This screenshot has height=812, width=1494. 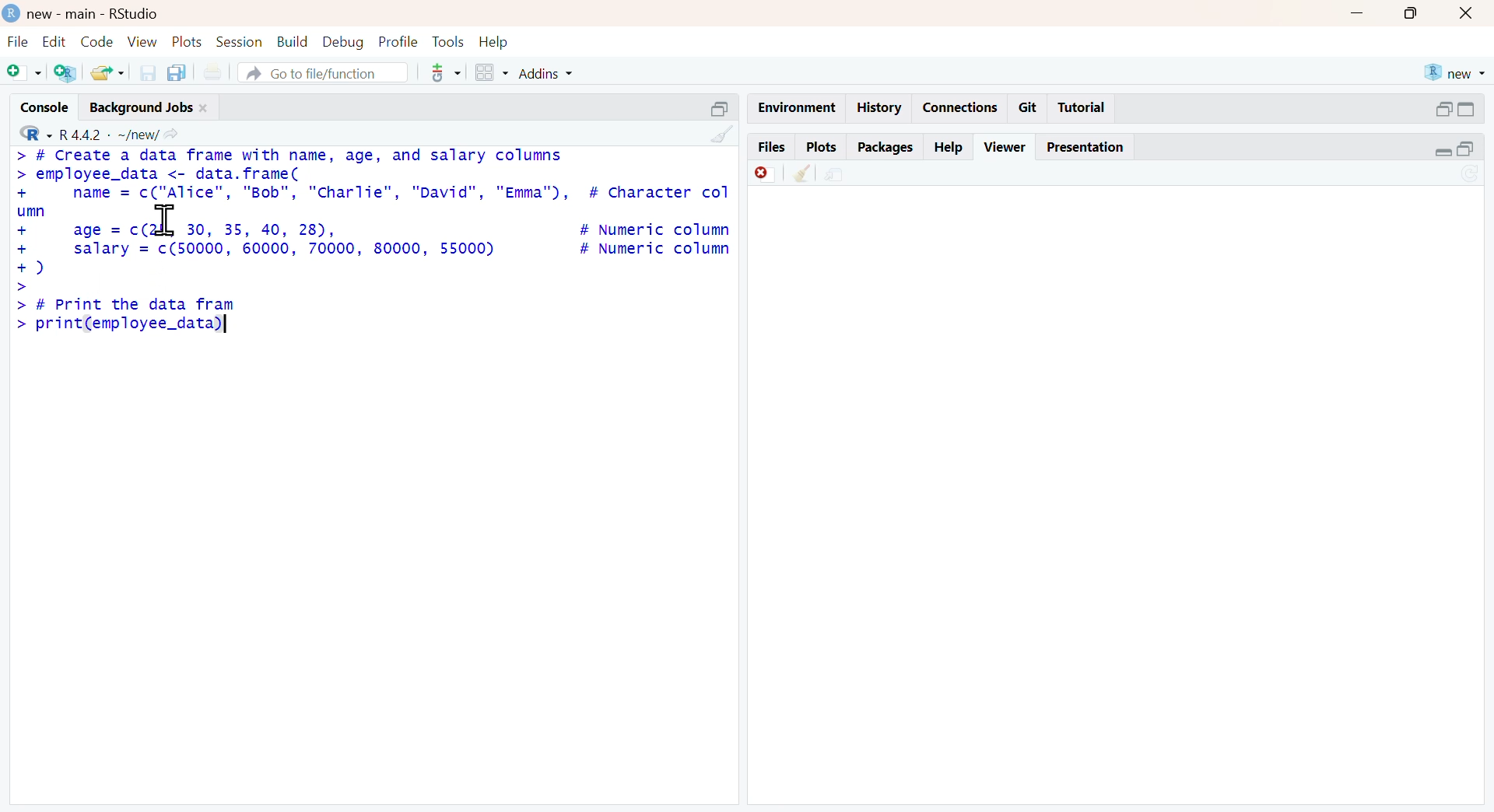 What do you see at coordinates (1086, 107) in the screenshot?
I see `Tutorial` at bounding box center [1086, 107].